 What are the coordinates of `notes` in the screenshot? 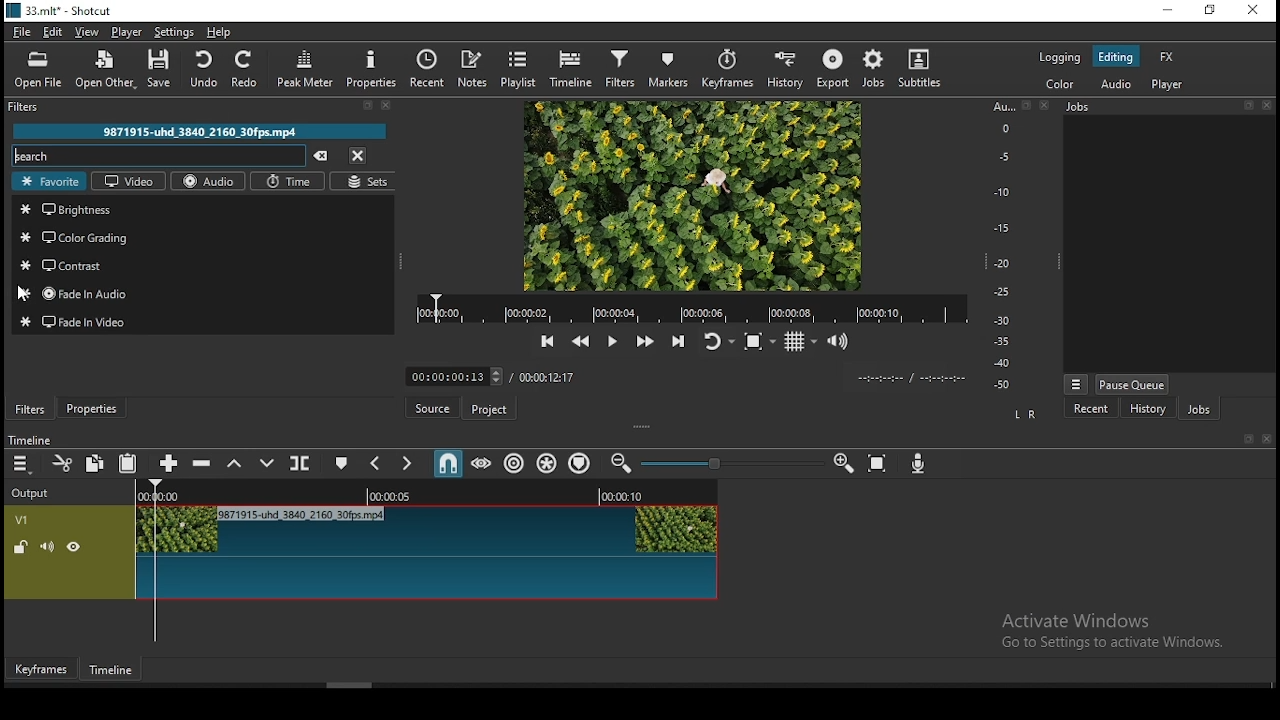 It's located at (476, 65).